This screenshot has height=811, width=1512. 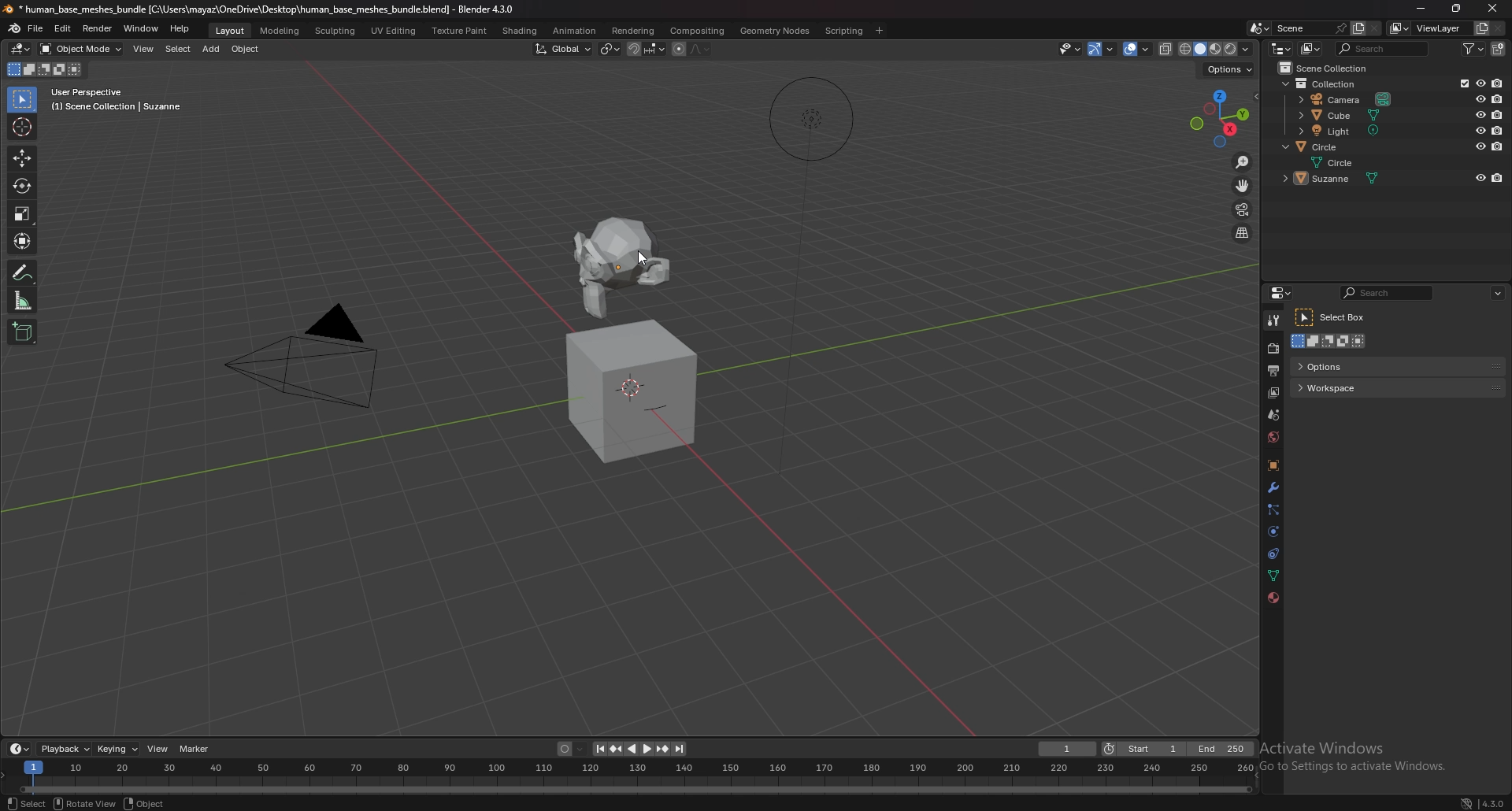 What do you see at coordinates (20, 749) in the screenshot?
I see `editor type` at bounding box center [20, 749].